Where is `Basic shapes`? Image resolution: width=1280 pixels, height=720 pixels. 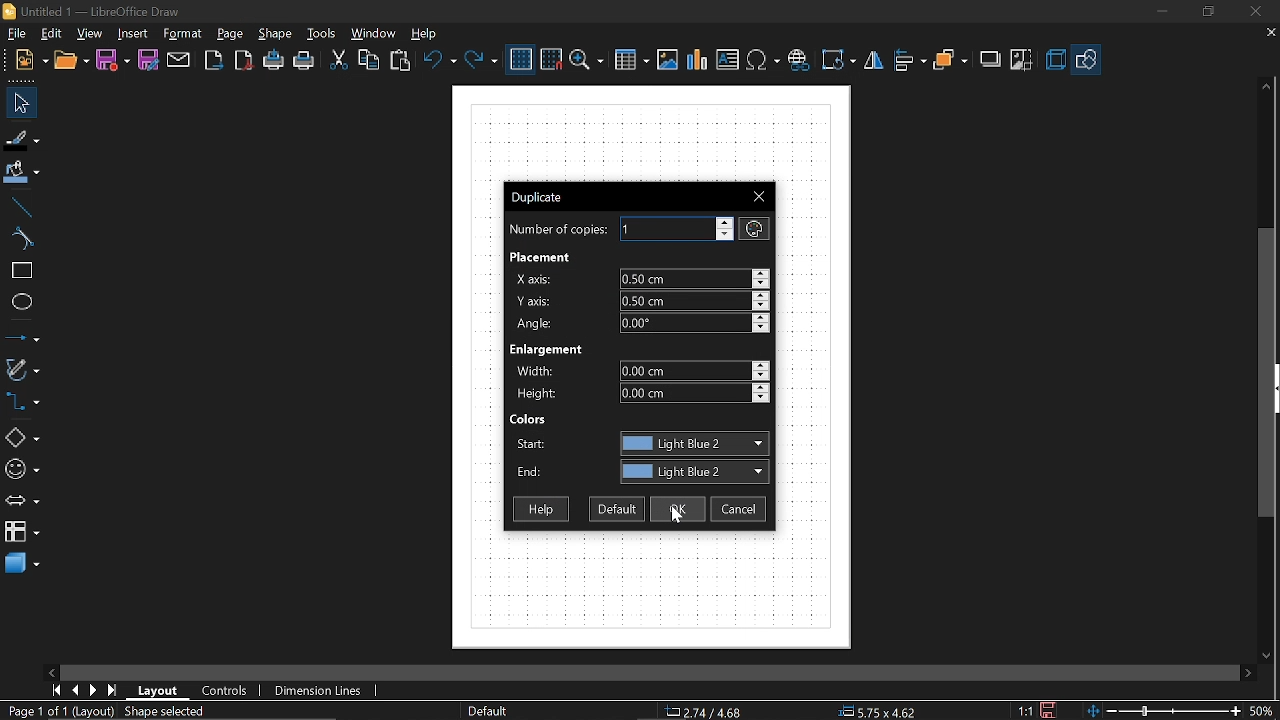
Basic shapes is located at coordinates (1085, 61).